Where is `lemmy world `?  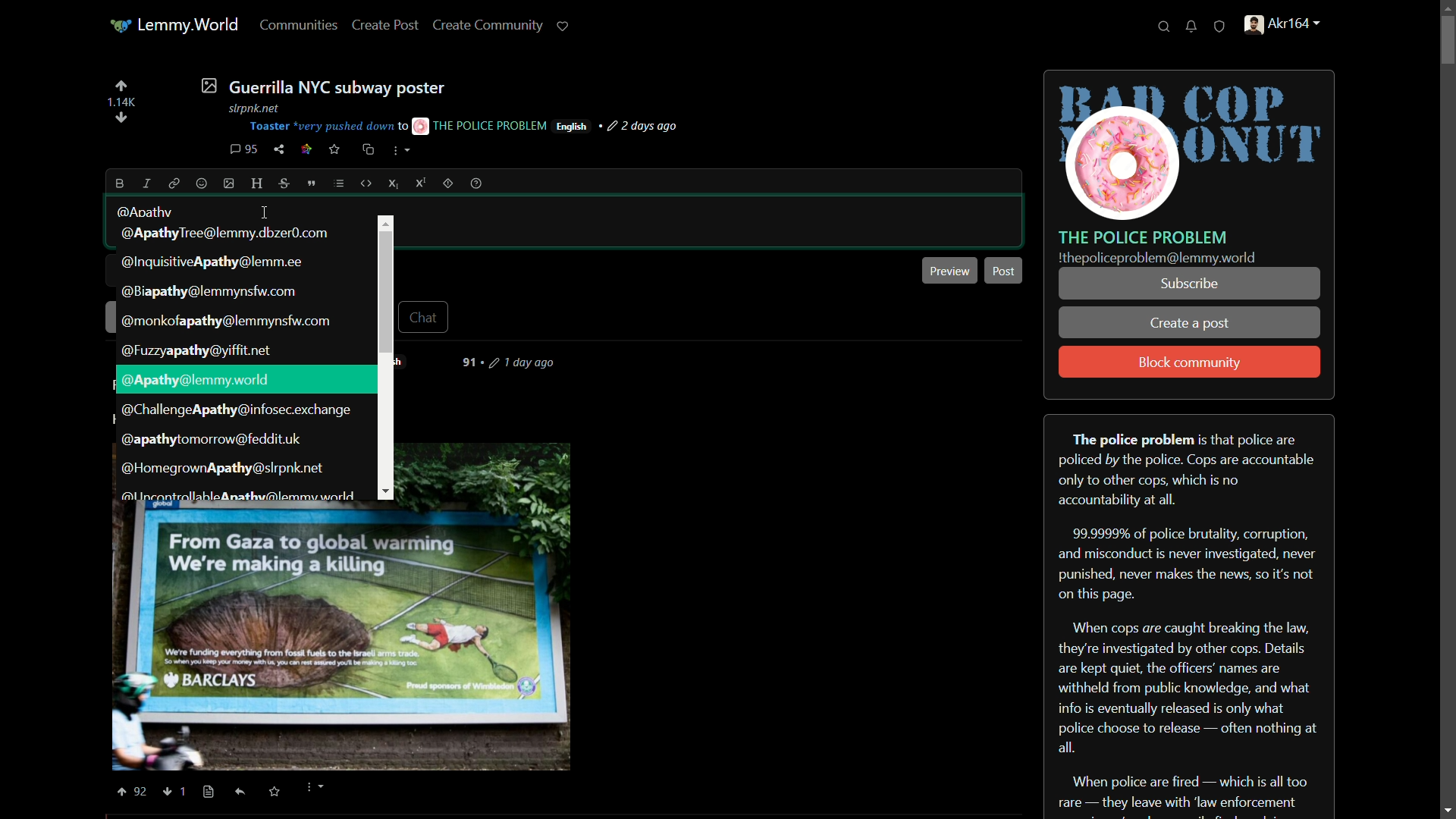 lemmy world  is located at coordinates (176, 26).